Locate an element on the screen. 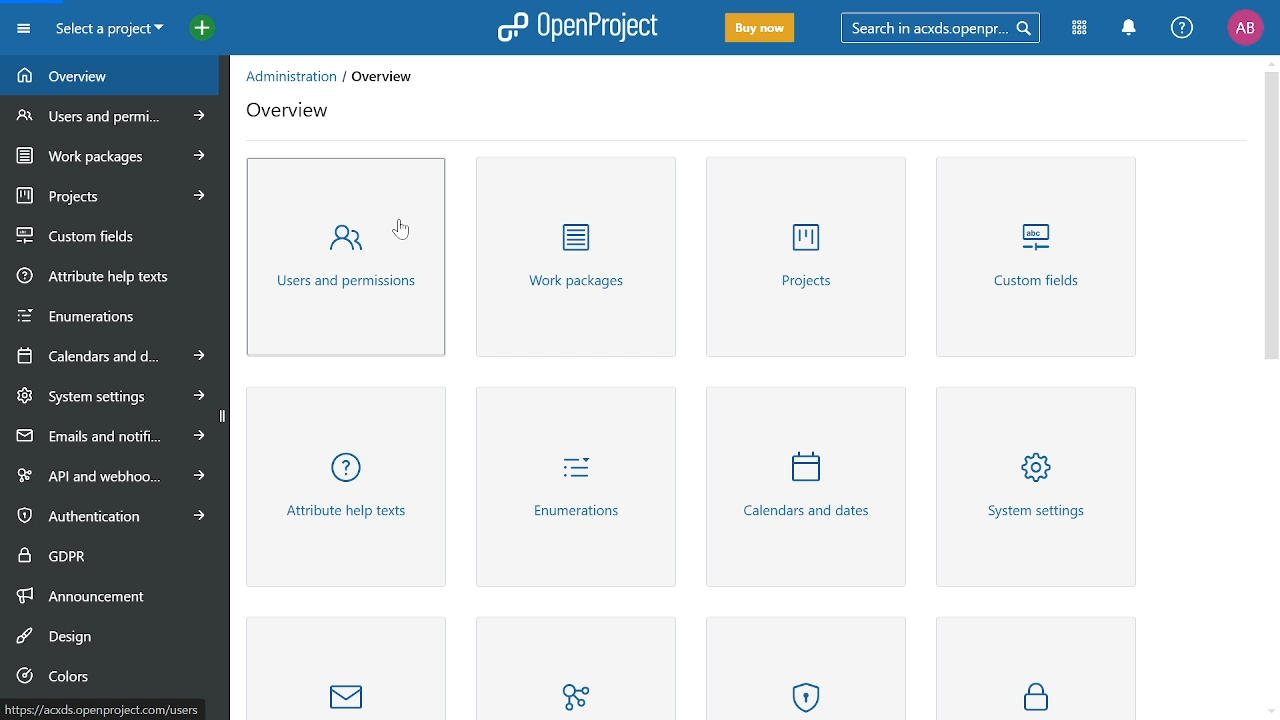 The image size is (1280, 720). Custom fields is located at coordinates (1038, 258).